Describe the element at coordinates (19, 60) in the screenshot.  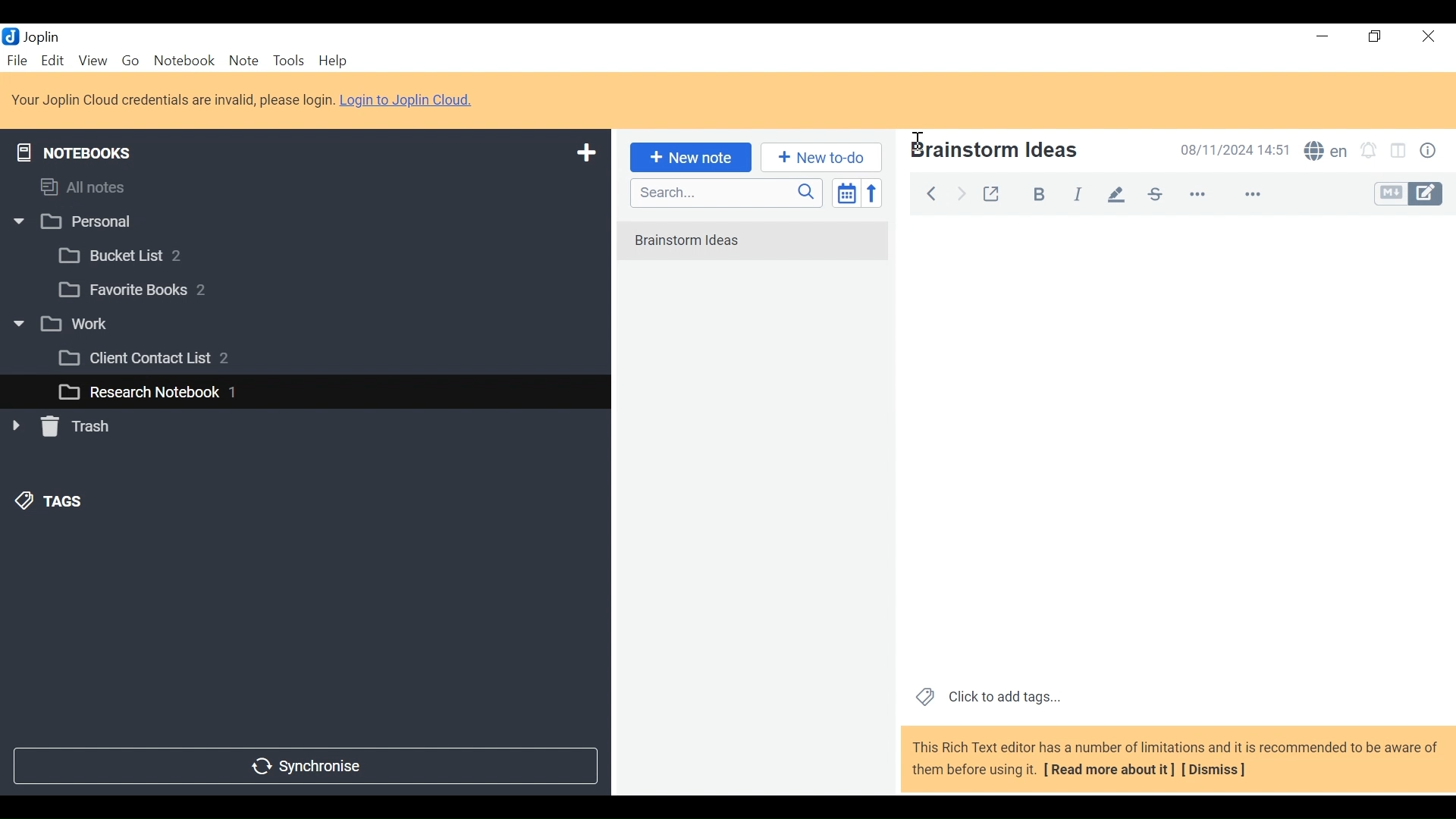
I see `File` at that location.